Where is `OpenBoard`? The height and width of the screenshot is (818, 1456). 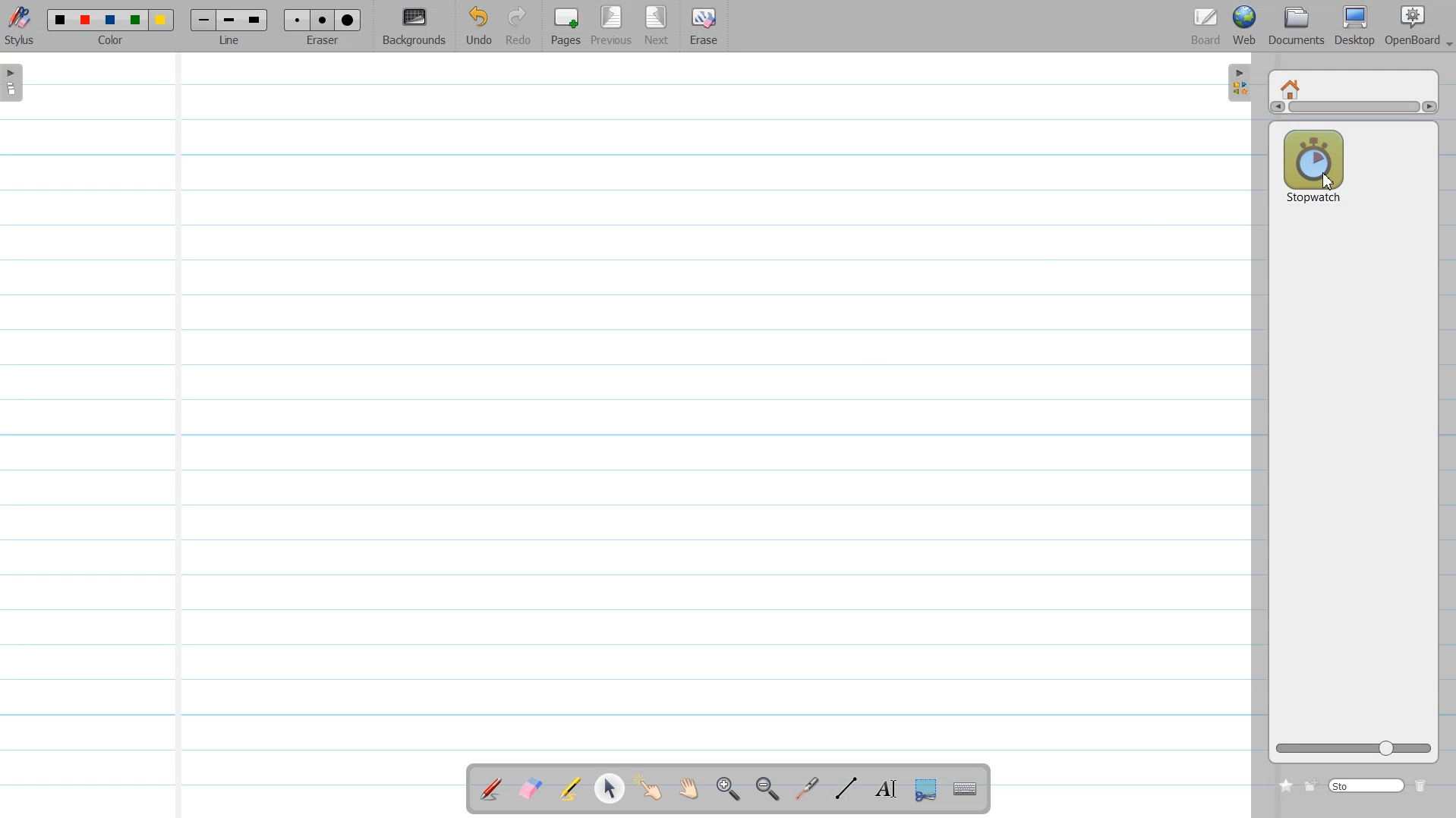
OpenBoard is located at coordinates (1409, 26).